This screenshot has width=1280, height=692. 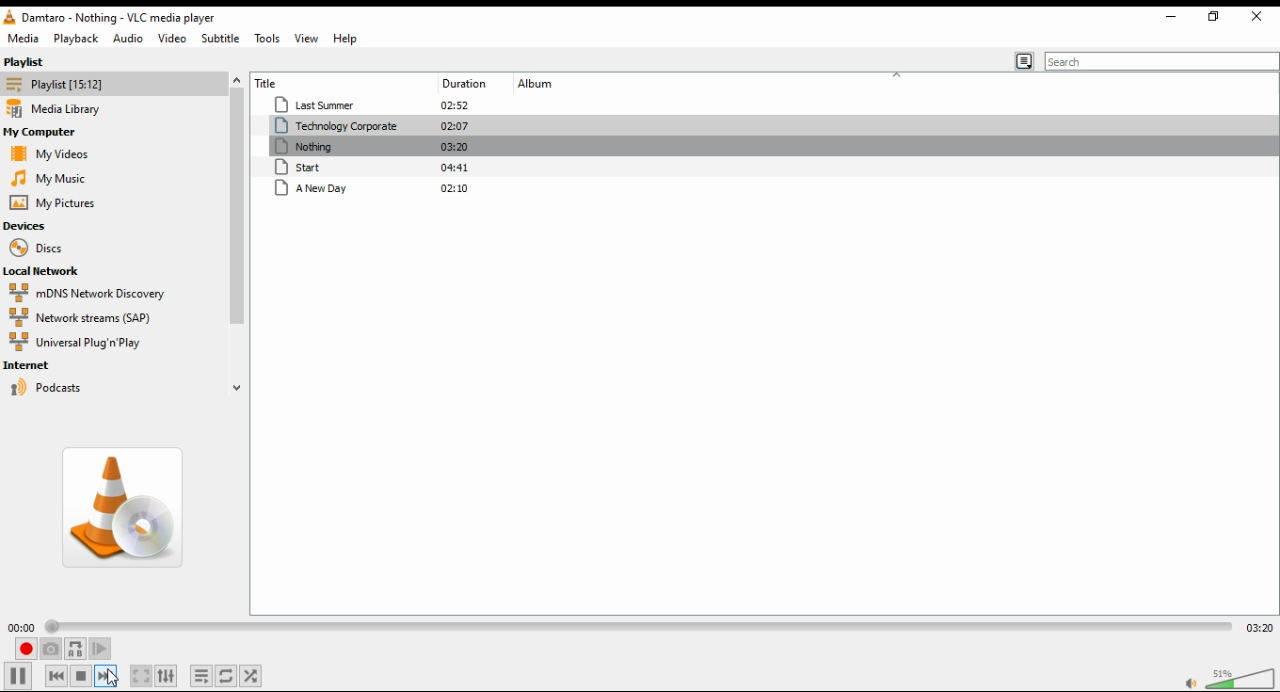 What do you see at coordinates (122, 509) in the screenshot?
I see `album art` at bounding box center [122, 509].